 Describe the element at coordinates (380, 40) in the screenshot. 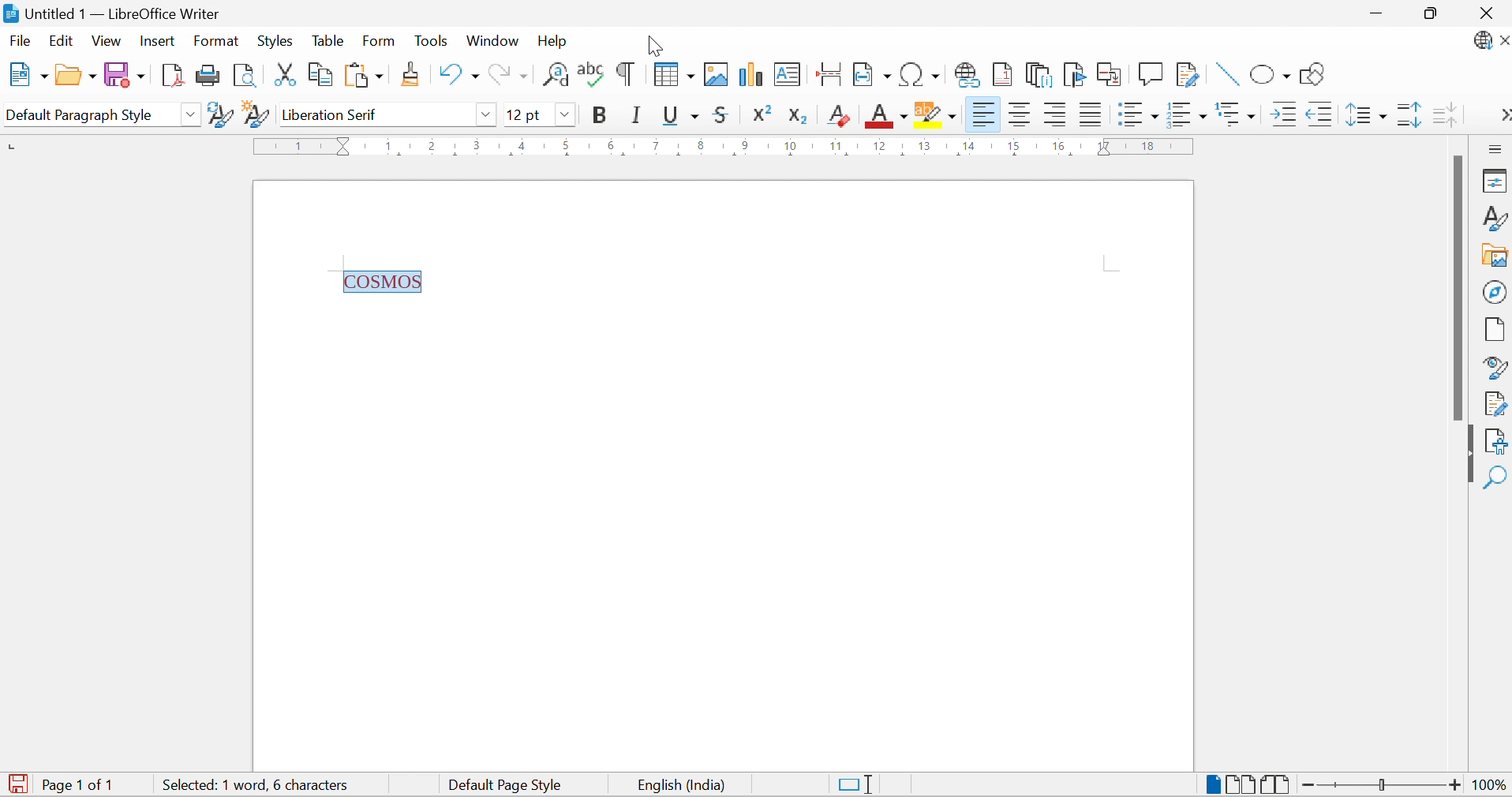

I see `Form` at that location.